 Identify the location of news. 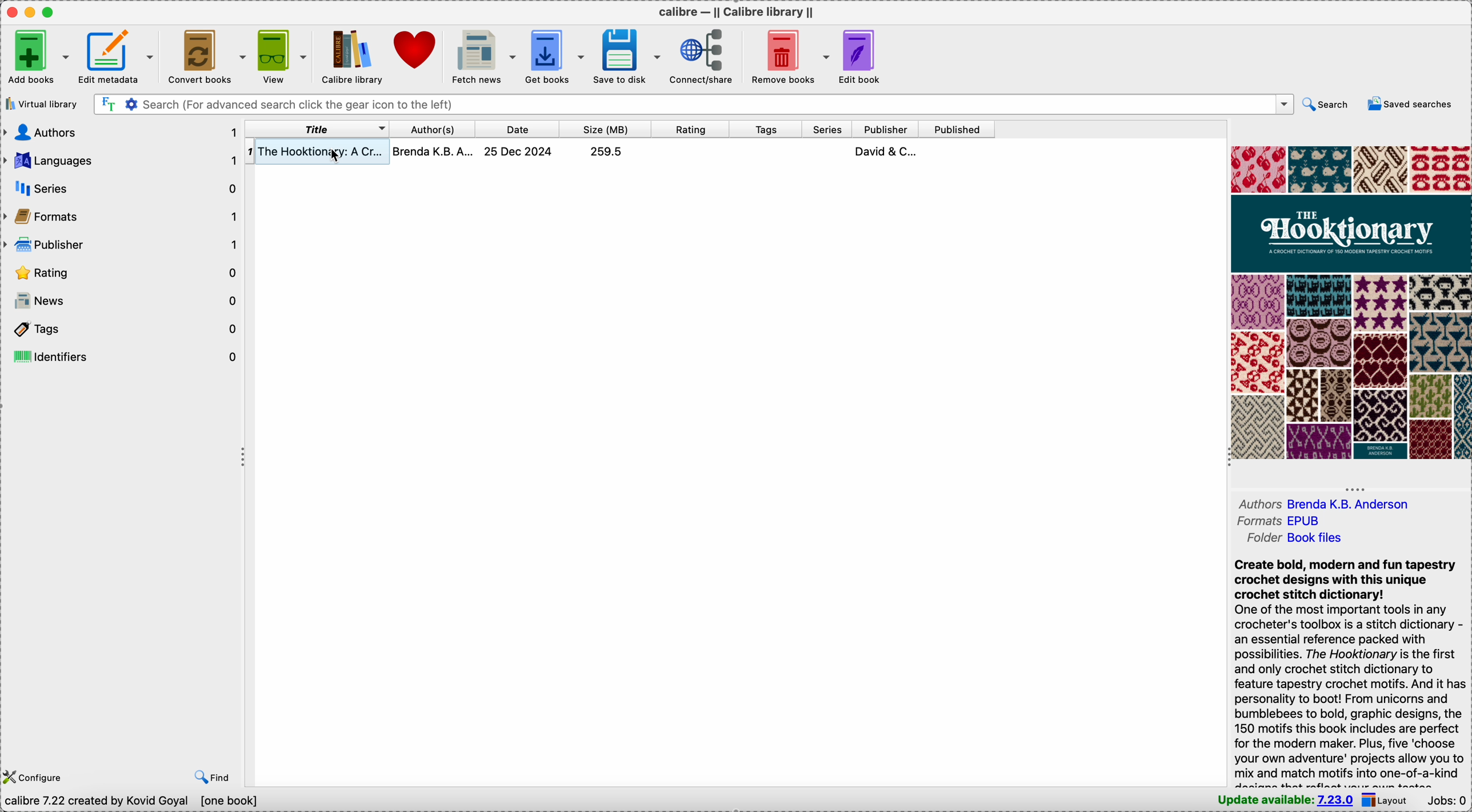
(122, 301).